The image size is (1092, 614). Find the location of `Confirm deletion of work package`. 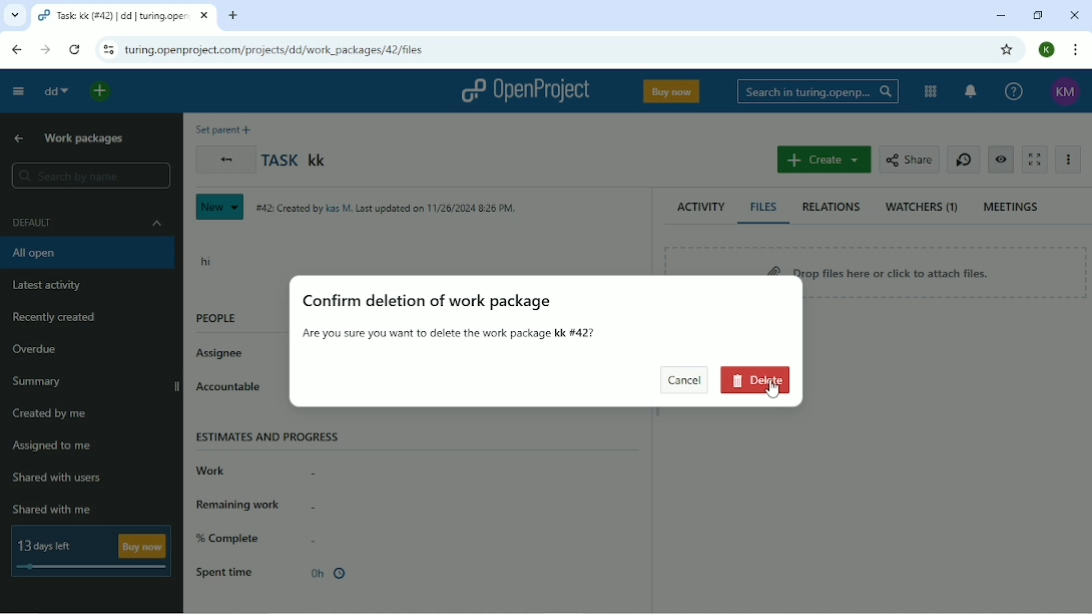

Confirm deletion of work package is located at coordinates (426, 303).